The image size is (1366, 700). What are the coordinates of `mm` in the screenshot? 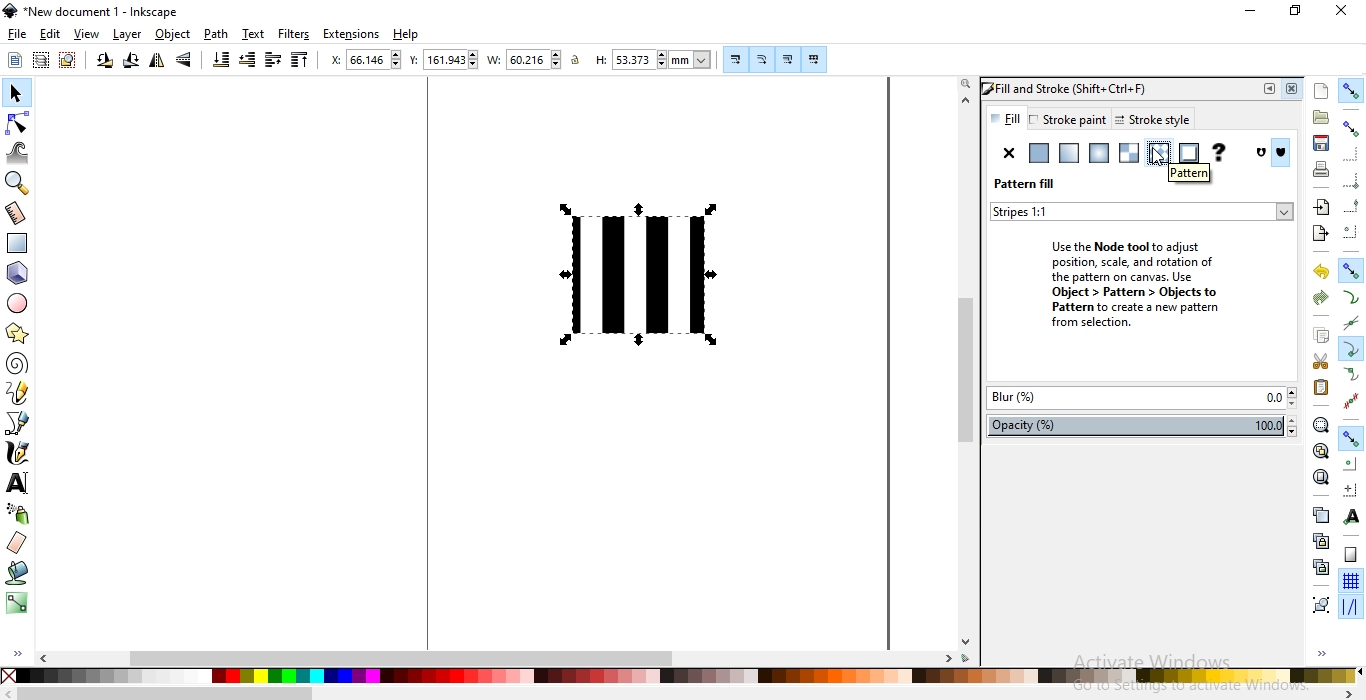 It's located at (692, 59).